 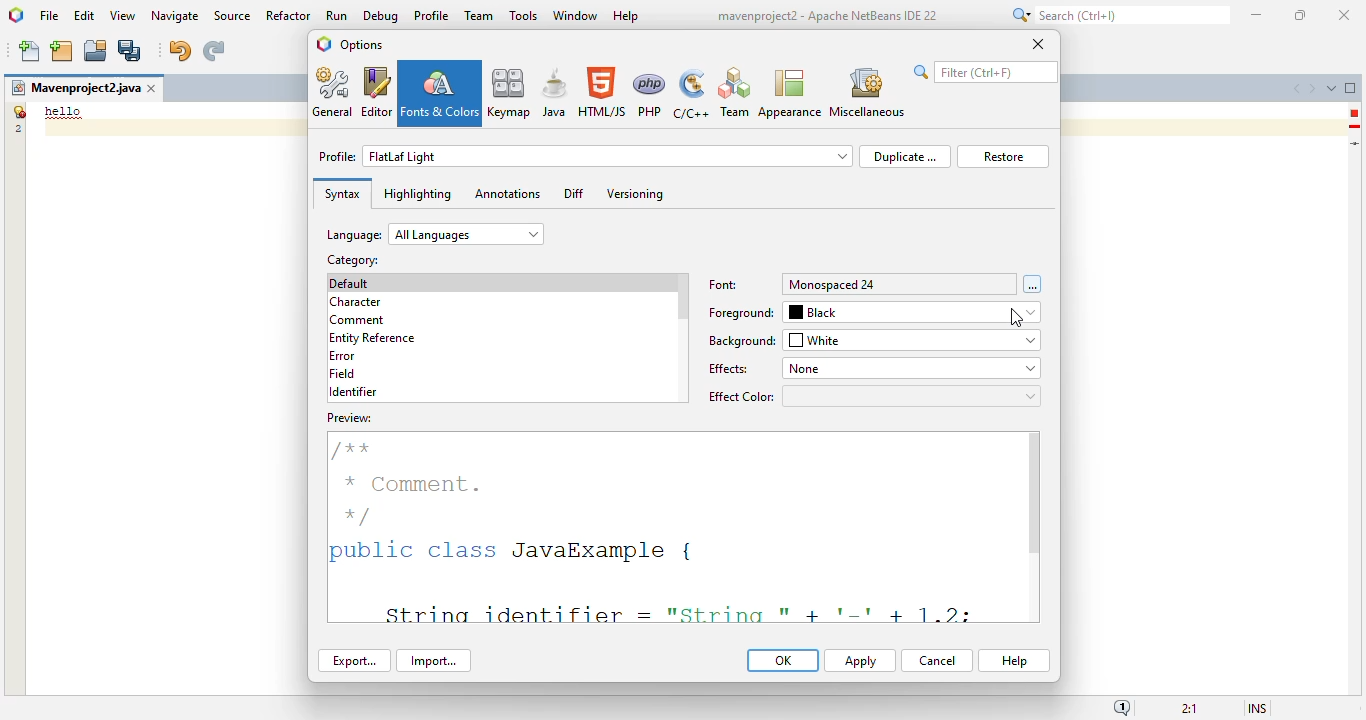 What do you see at coordinates (433, 15) in the screenshot?
I see `profile` at bounding box center [433, 15].